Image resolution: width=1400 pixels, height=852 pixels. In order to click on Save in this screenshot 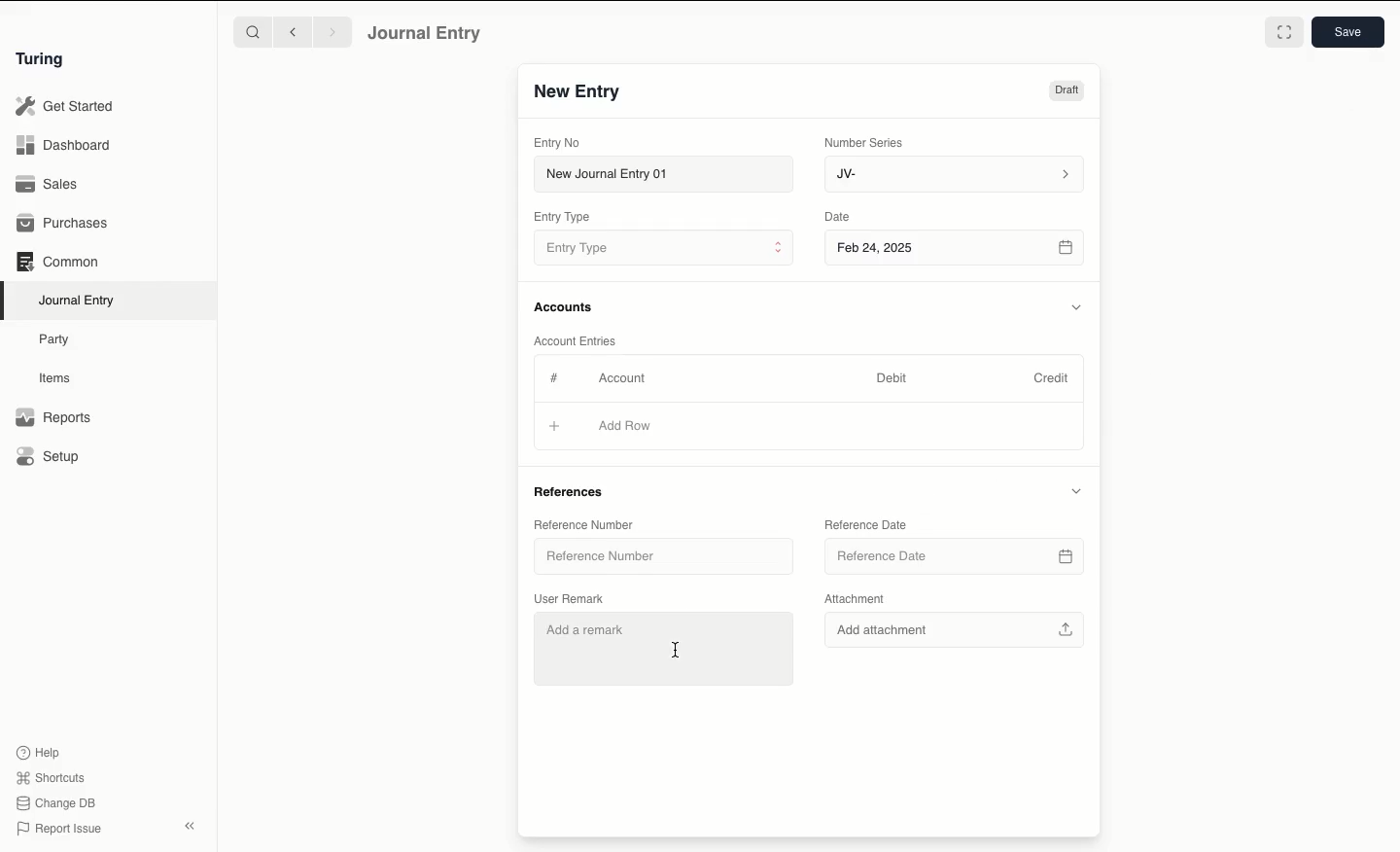, I will do `click(1348, 32)`.